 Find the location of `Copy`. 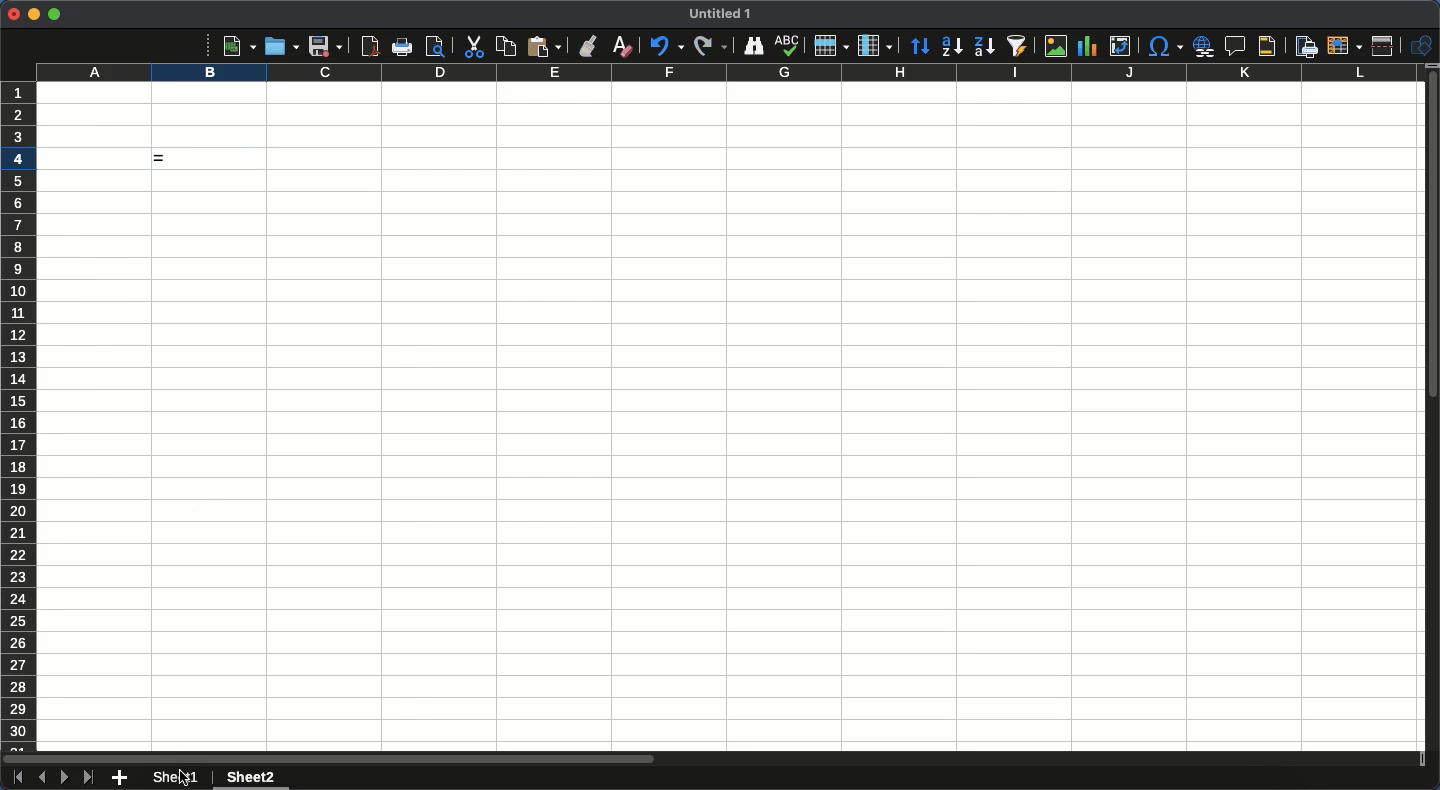

Copy is located at coordinates (506, 46).